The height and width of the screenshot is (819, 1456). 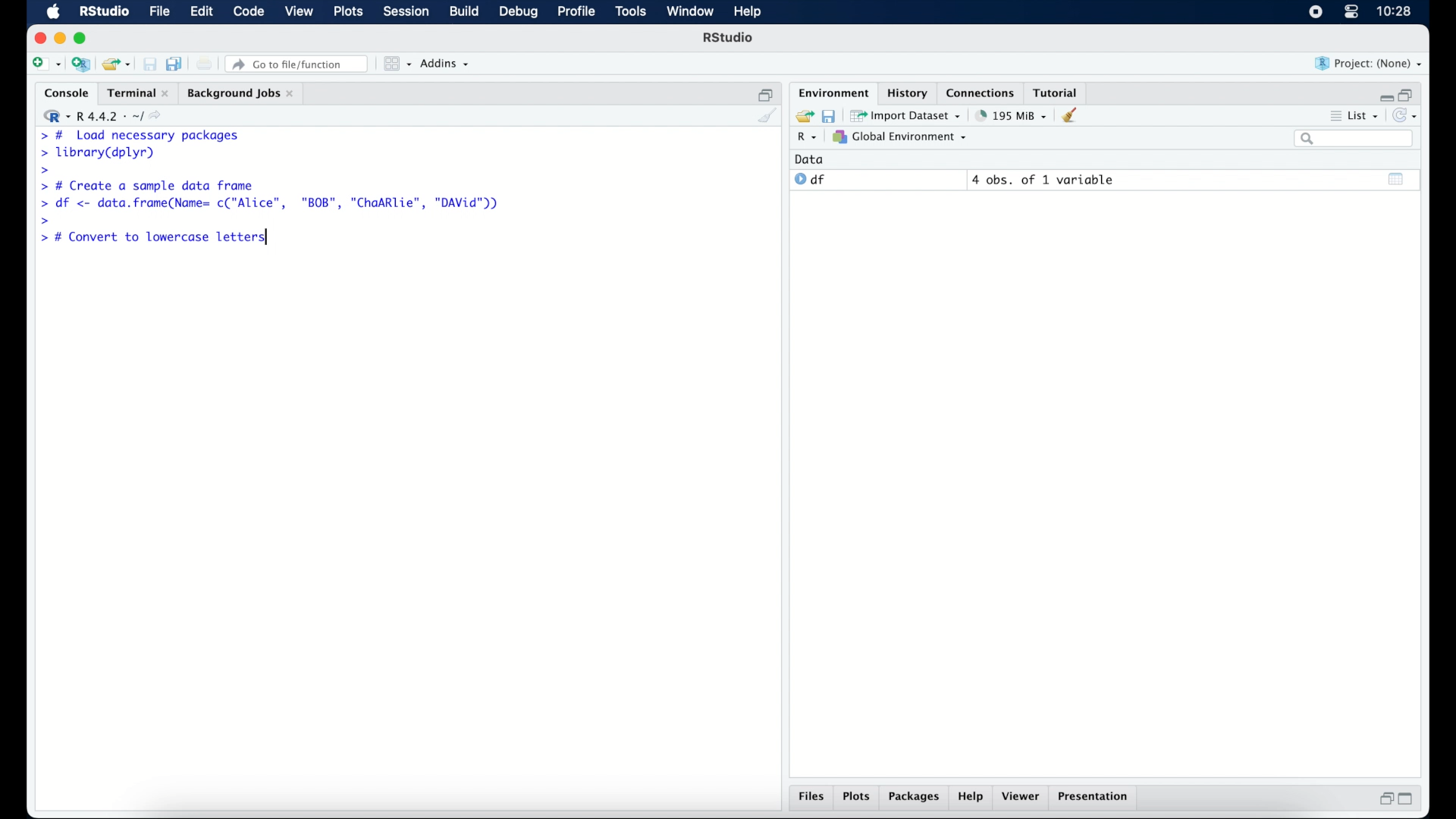 What do you see at coordinates (1010, 115) in the screenshot?
I see `195 MB` at bounding box center [1010, 115].